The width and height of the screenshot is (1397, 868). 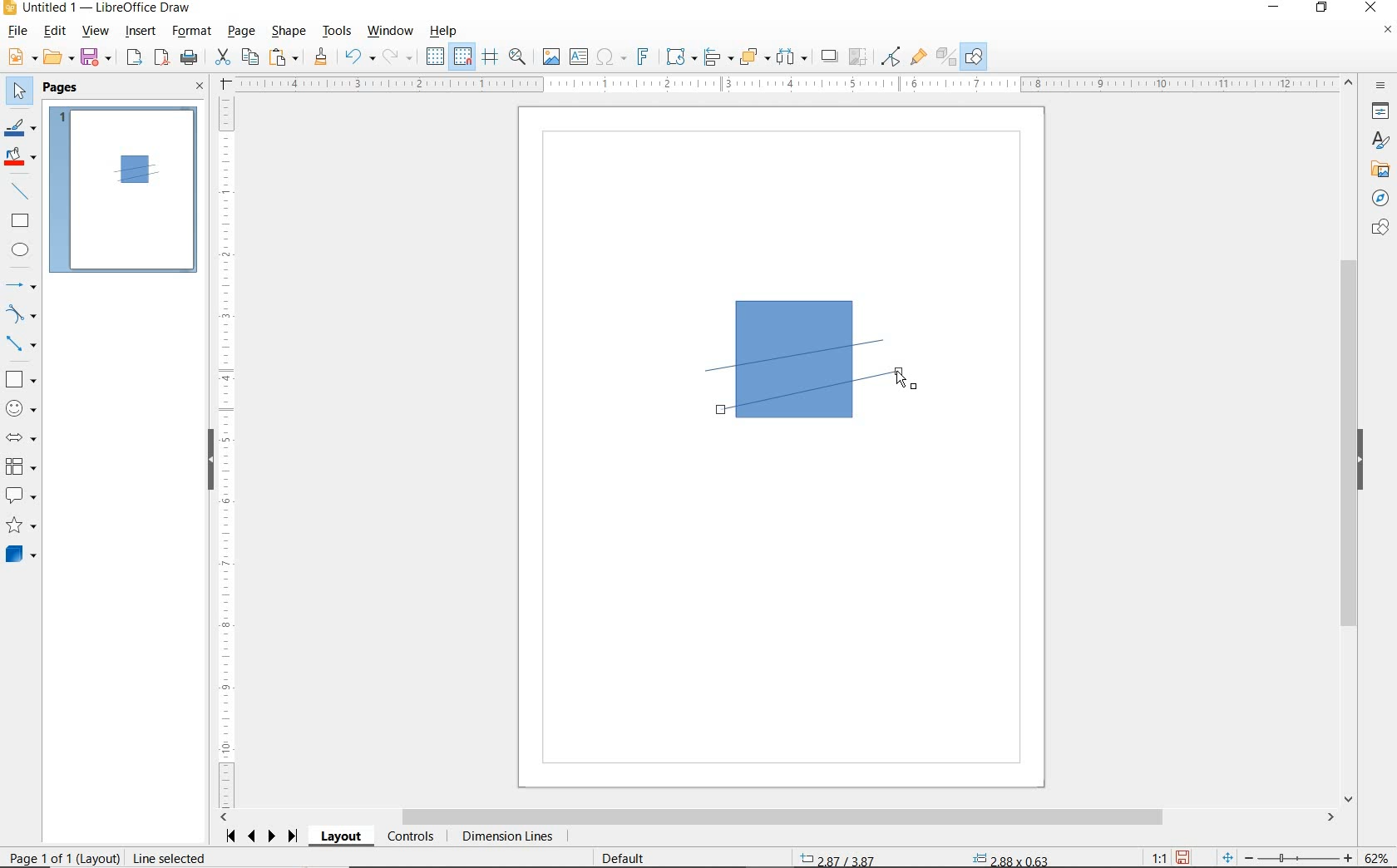 I want to click on SAVE, so click(x=97, y=58).